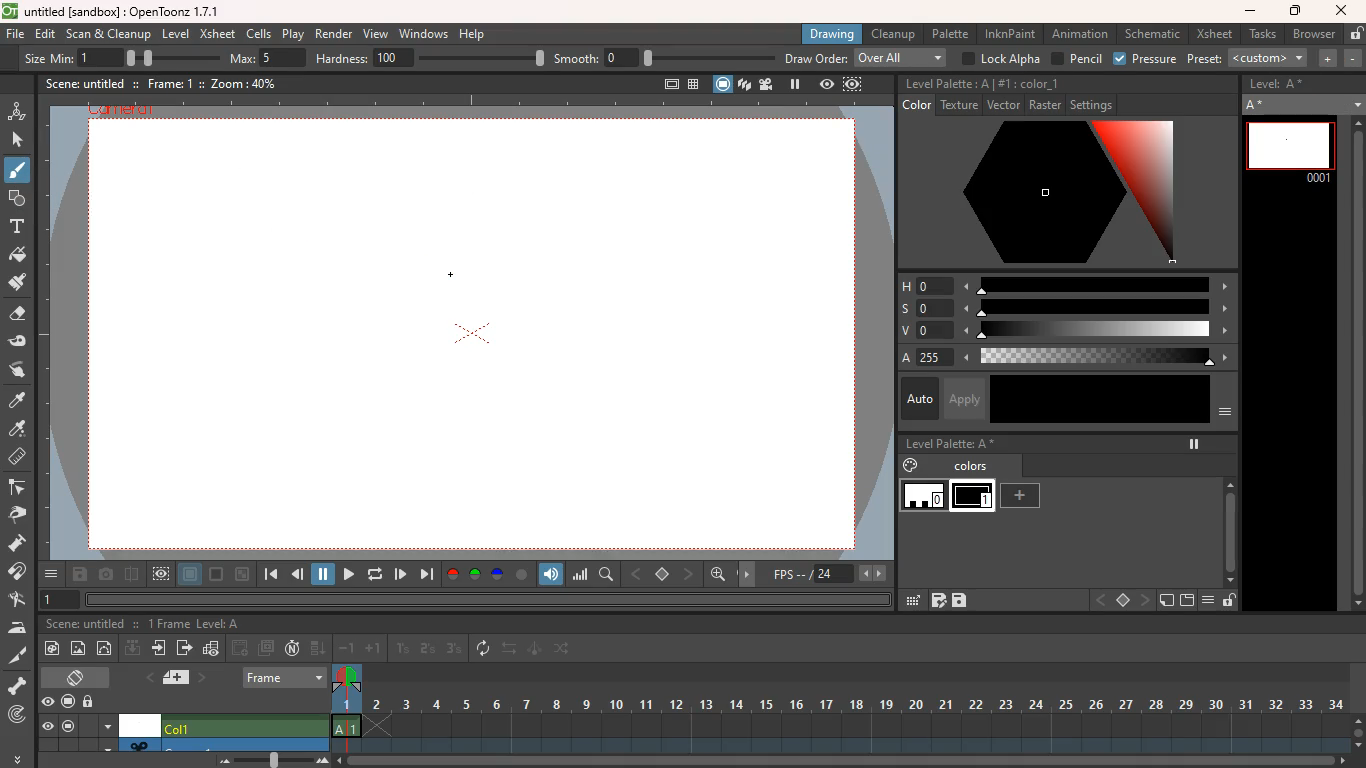 This screenshot has width=1366, height=768. I want to click on edit, so click(911, 600).